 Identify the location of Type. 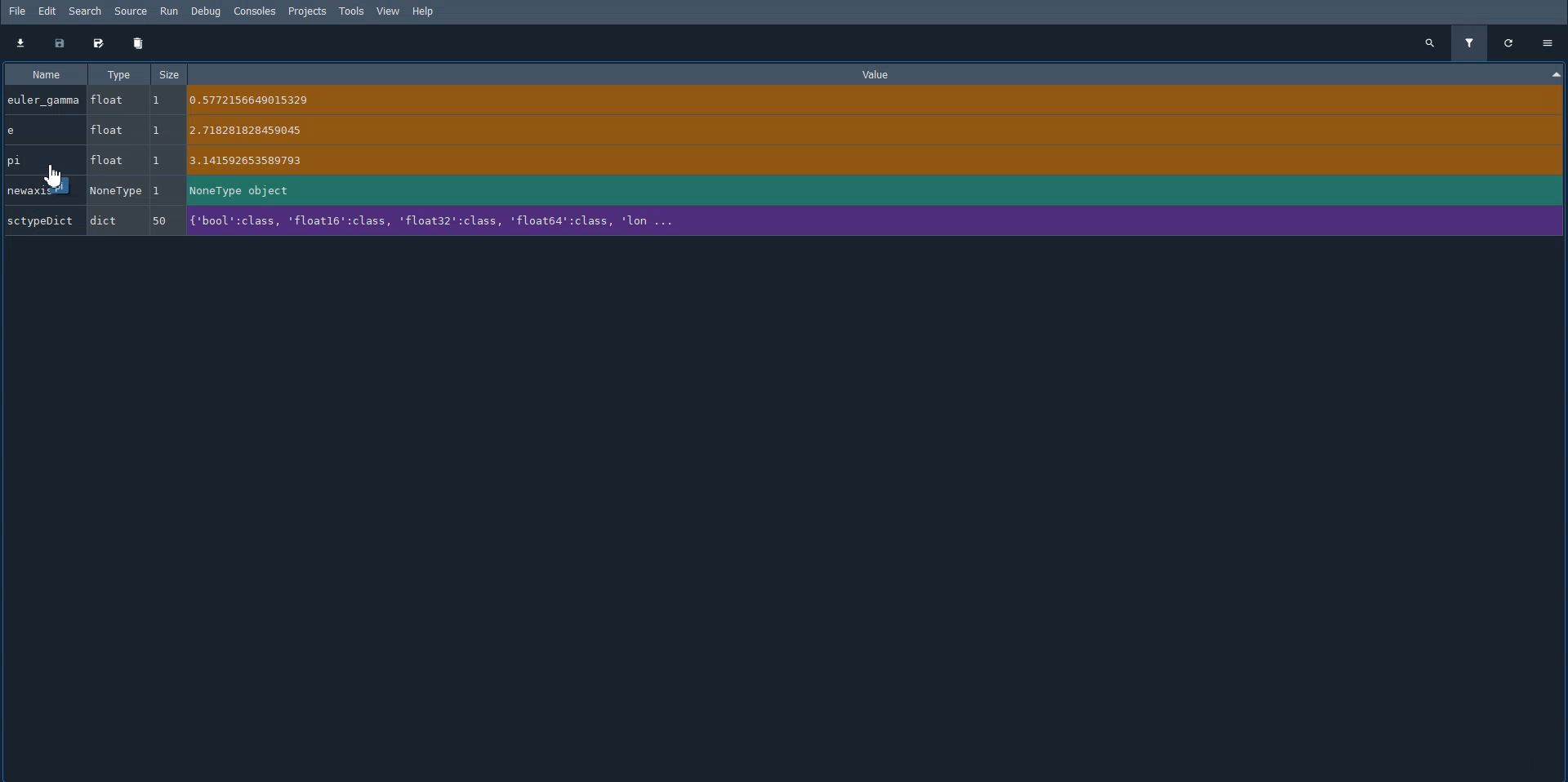
(119, 74).